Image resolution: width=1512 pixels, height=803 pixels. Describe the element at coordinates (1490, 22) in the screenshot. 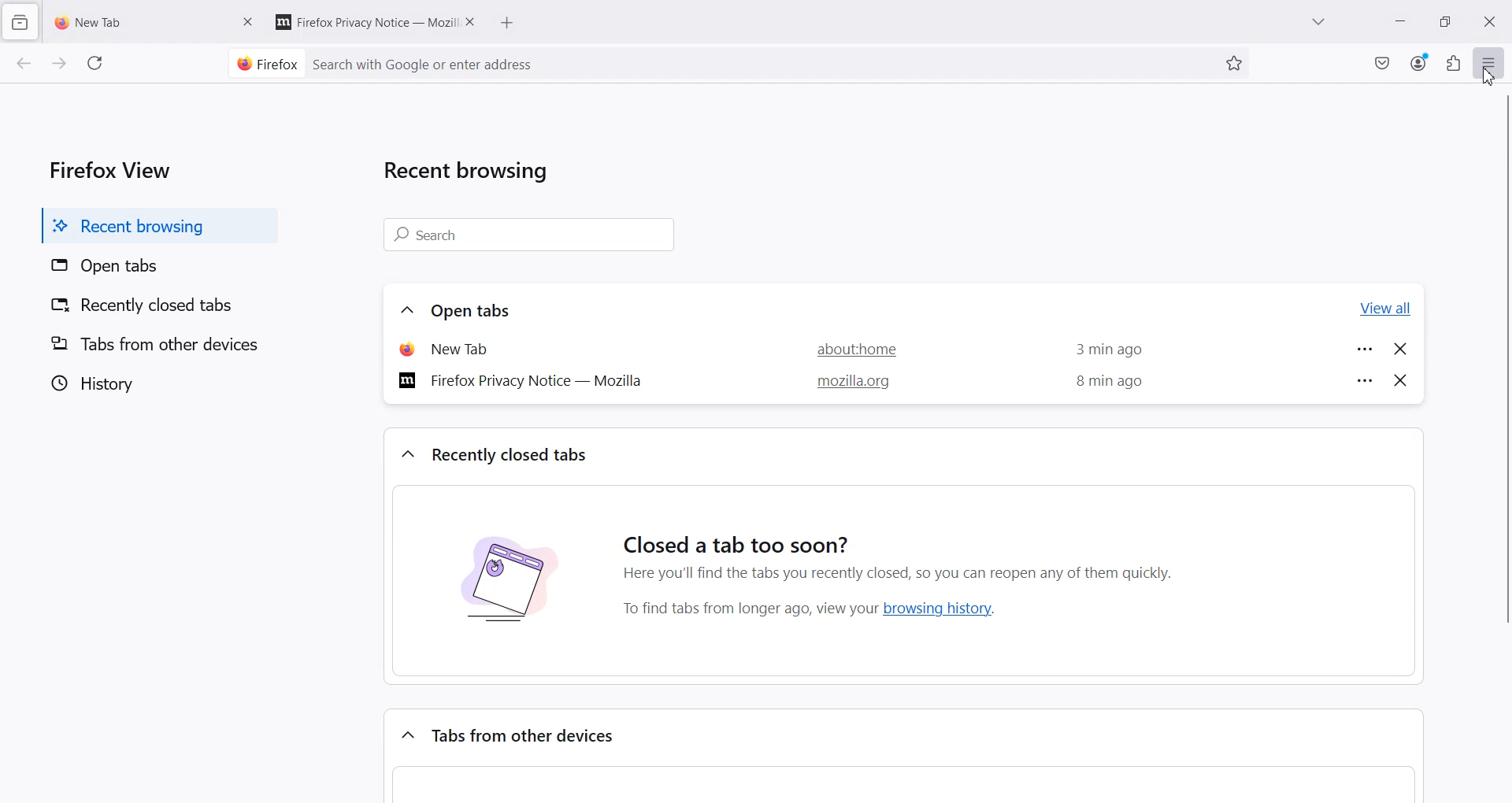

I see `Close` at that location.